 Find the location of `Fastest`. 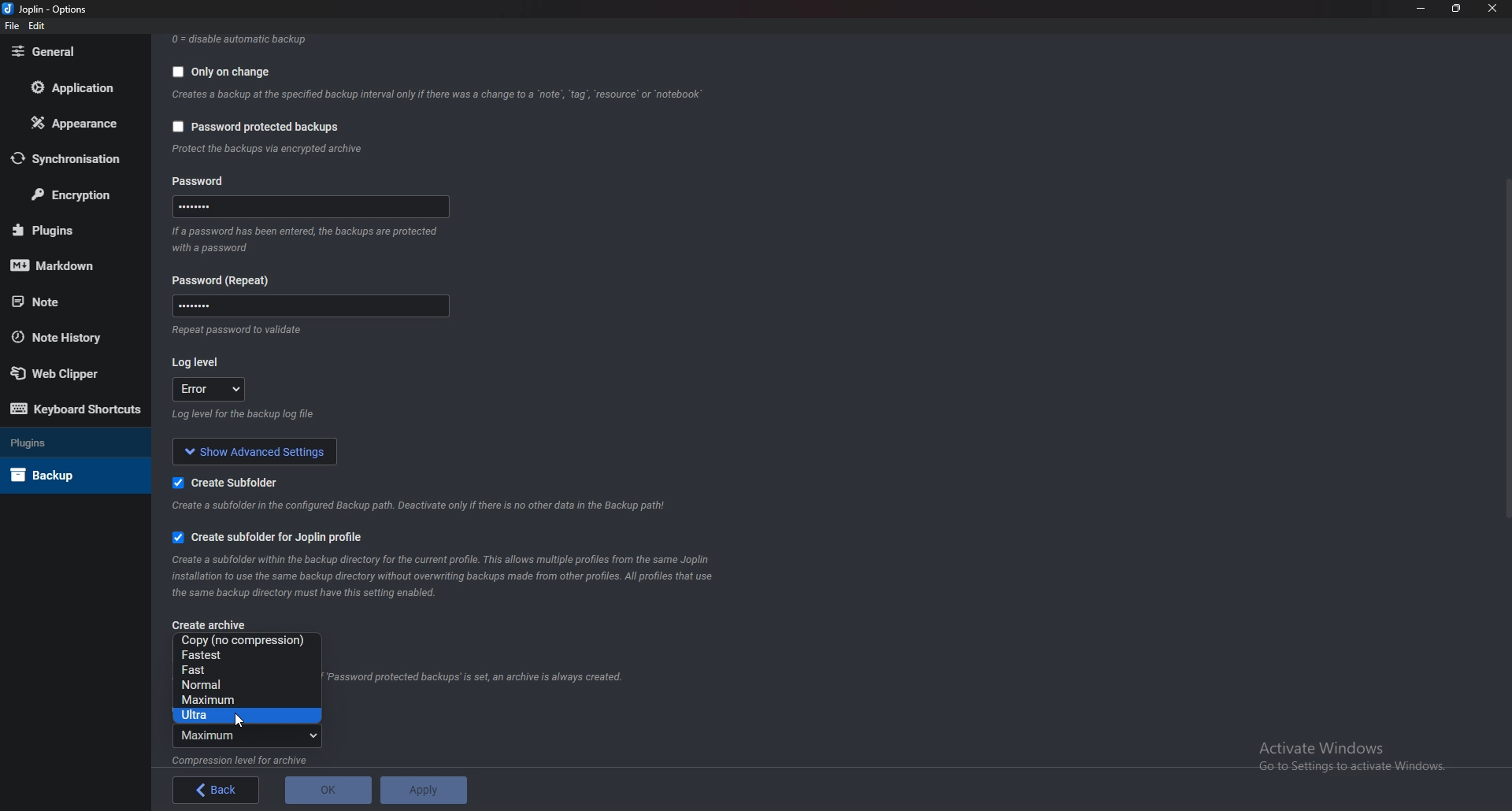

Fastest is located at coordinates (243, 655).